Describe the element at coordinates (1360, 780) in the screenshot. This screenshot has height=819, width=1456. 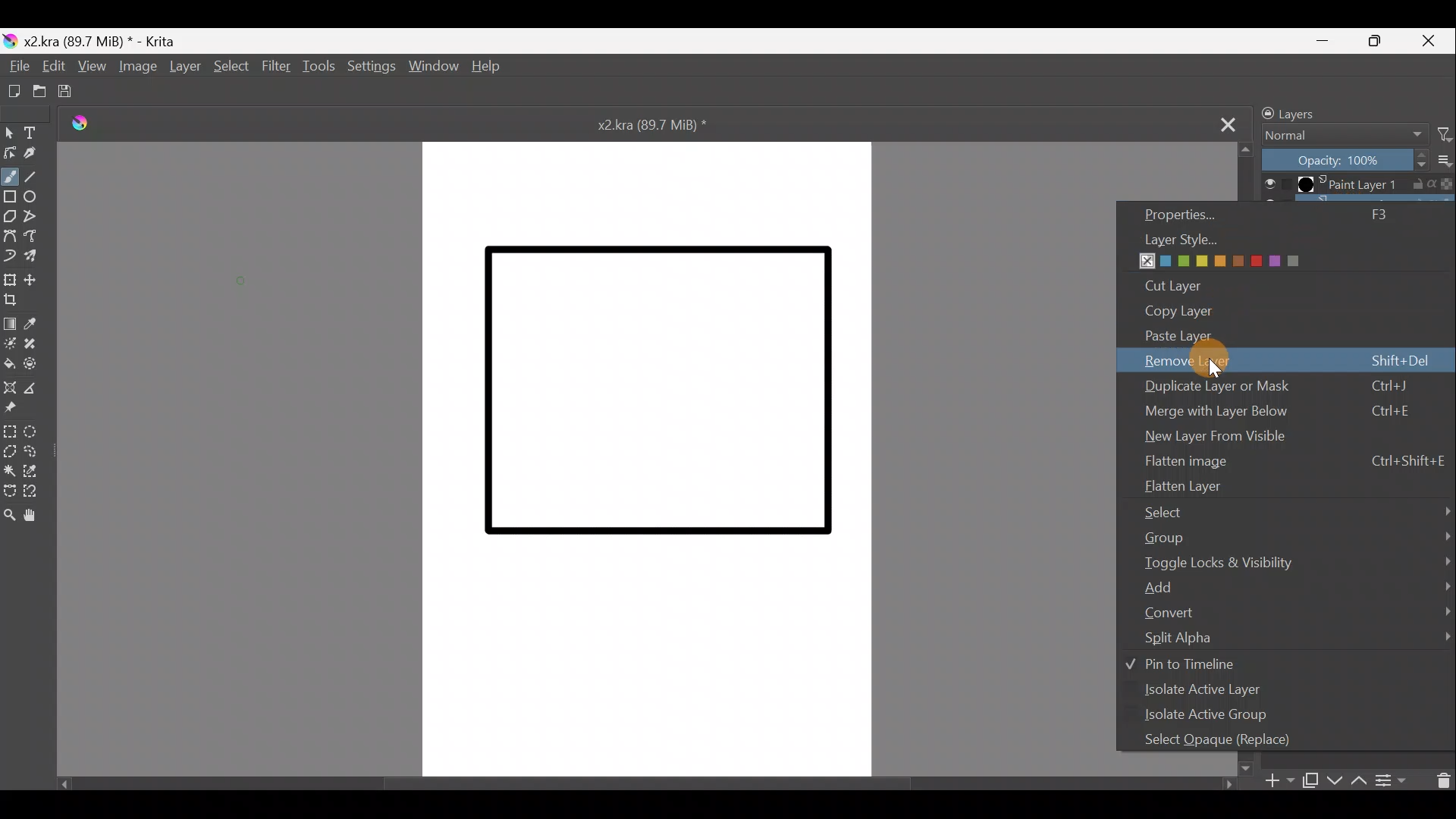
I see `Move layer/mask up` at that location.